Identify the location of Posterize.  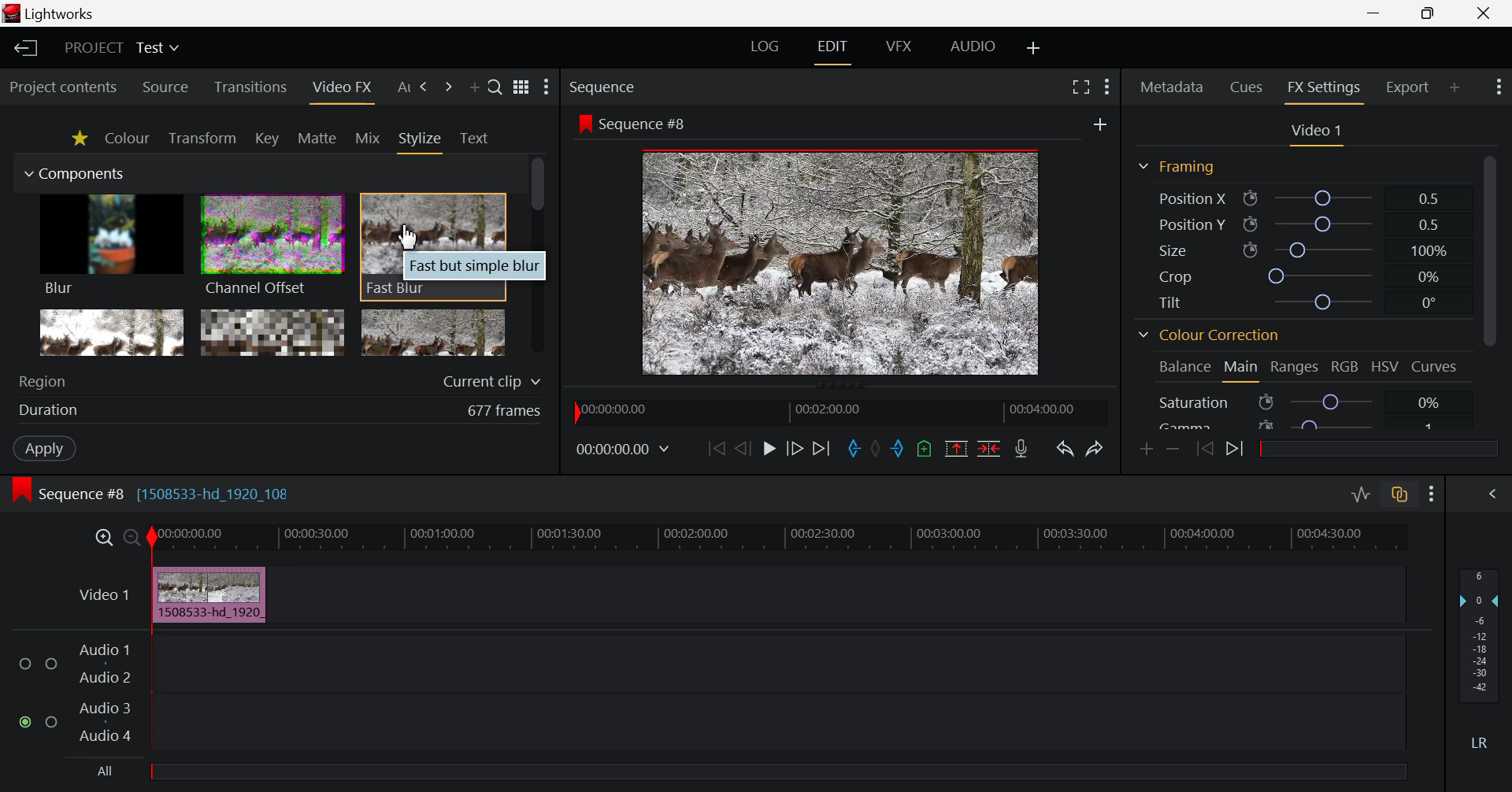
(431, 335).